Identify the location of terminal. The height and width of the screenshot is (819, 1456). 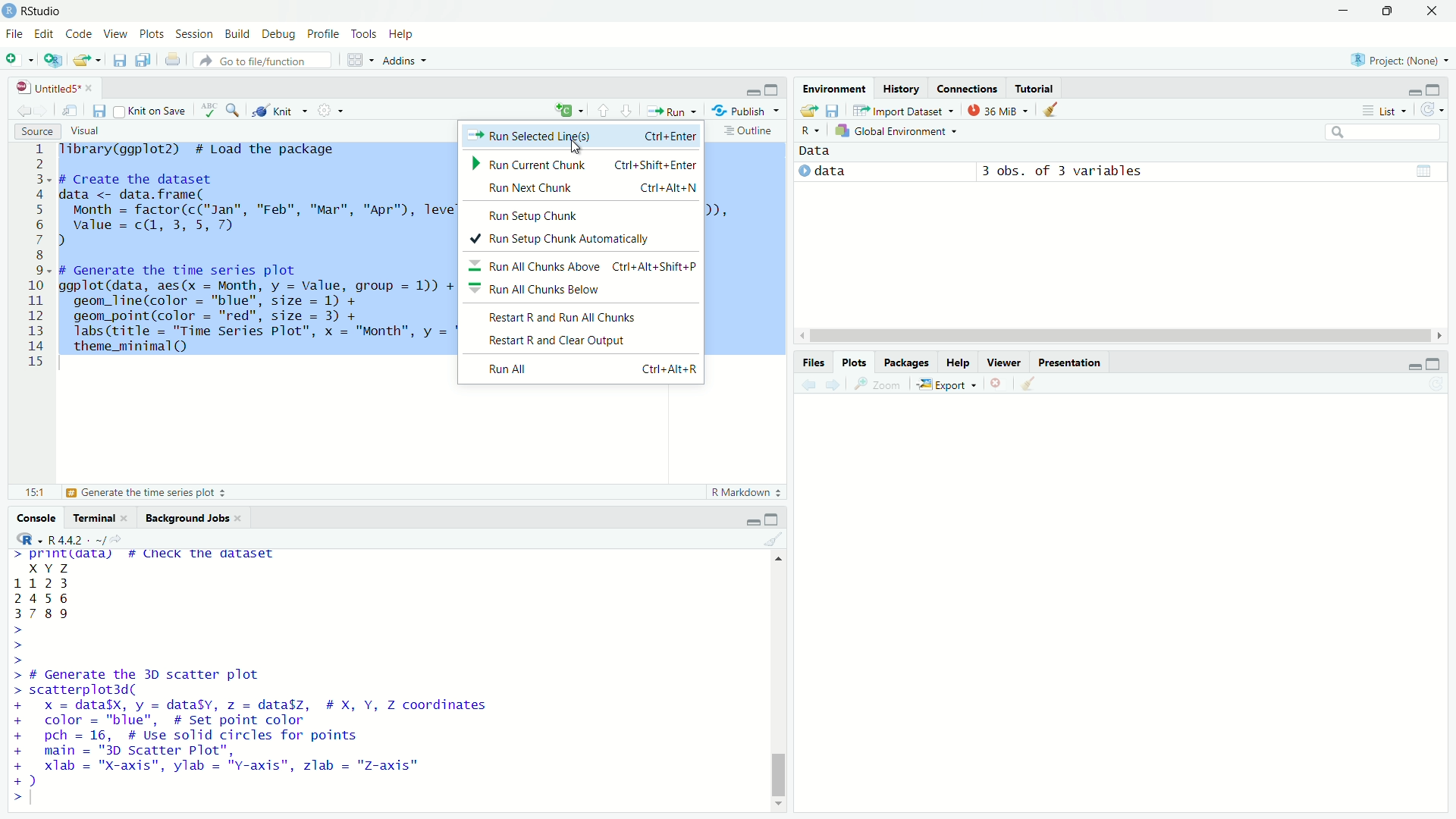
(91, 516).